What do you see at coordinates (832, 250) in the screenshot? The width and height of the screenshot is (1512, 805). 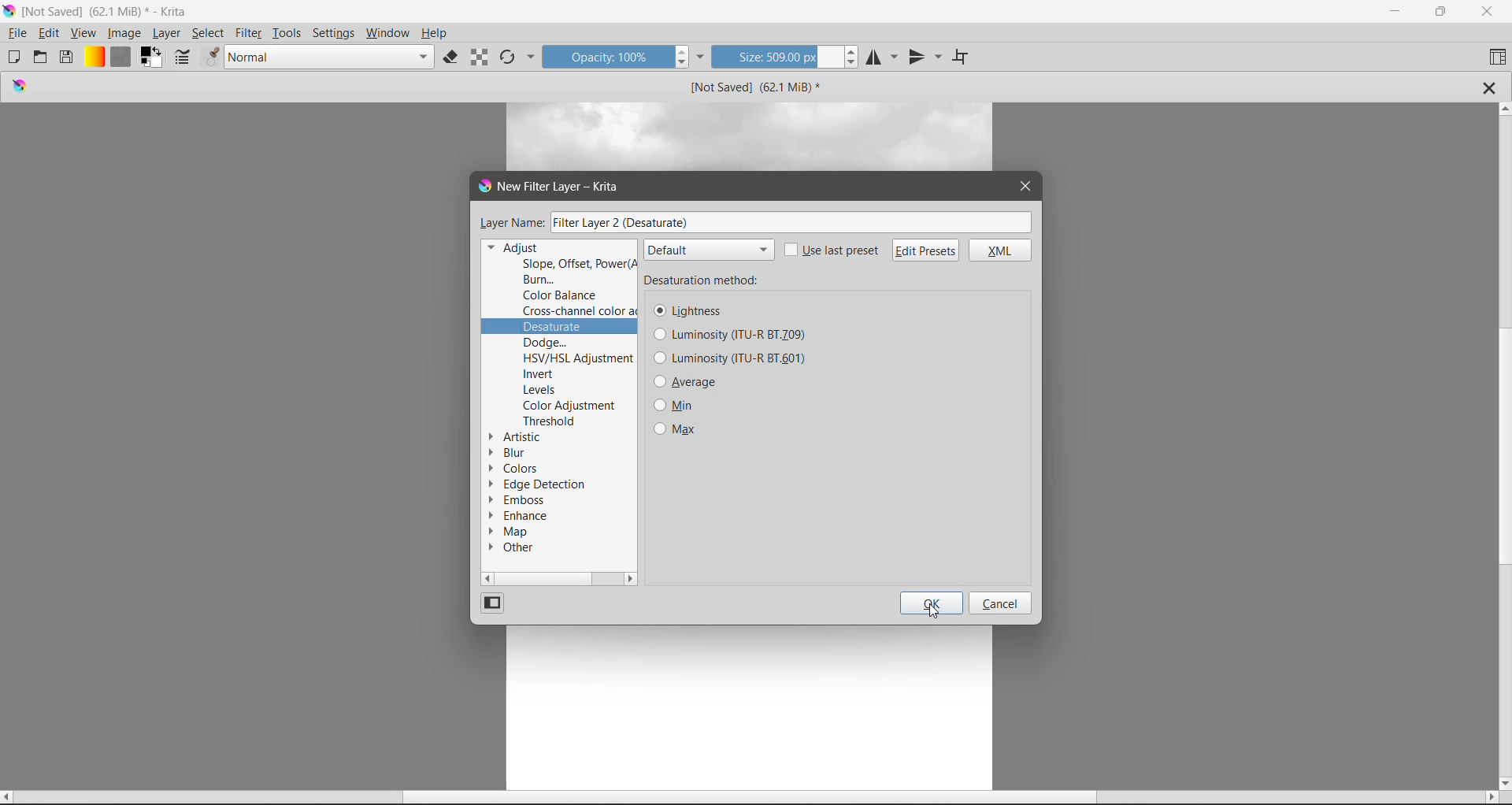 I see `Use last preset - click to enable/disable` at bounding box center [832, 250].